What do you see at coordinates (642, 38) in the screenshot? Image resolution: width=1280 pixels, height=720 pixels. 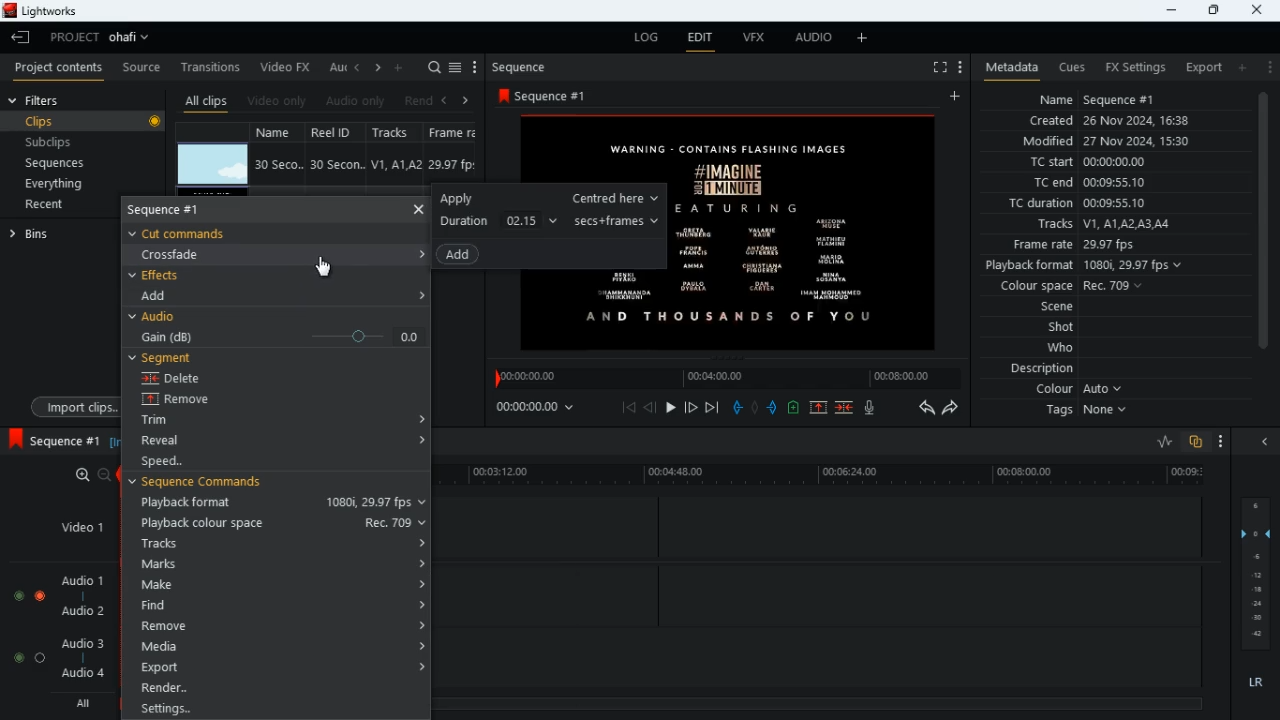 I see `log` at bounding box center [642, 38].